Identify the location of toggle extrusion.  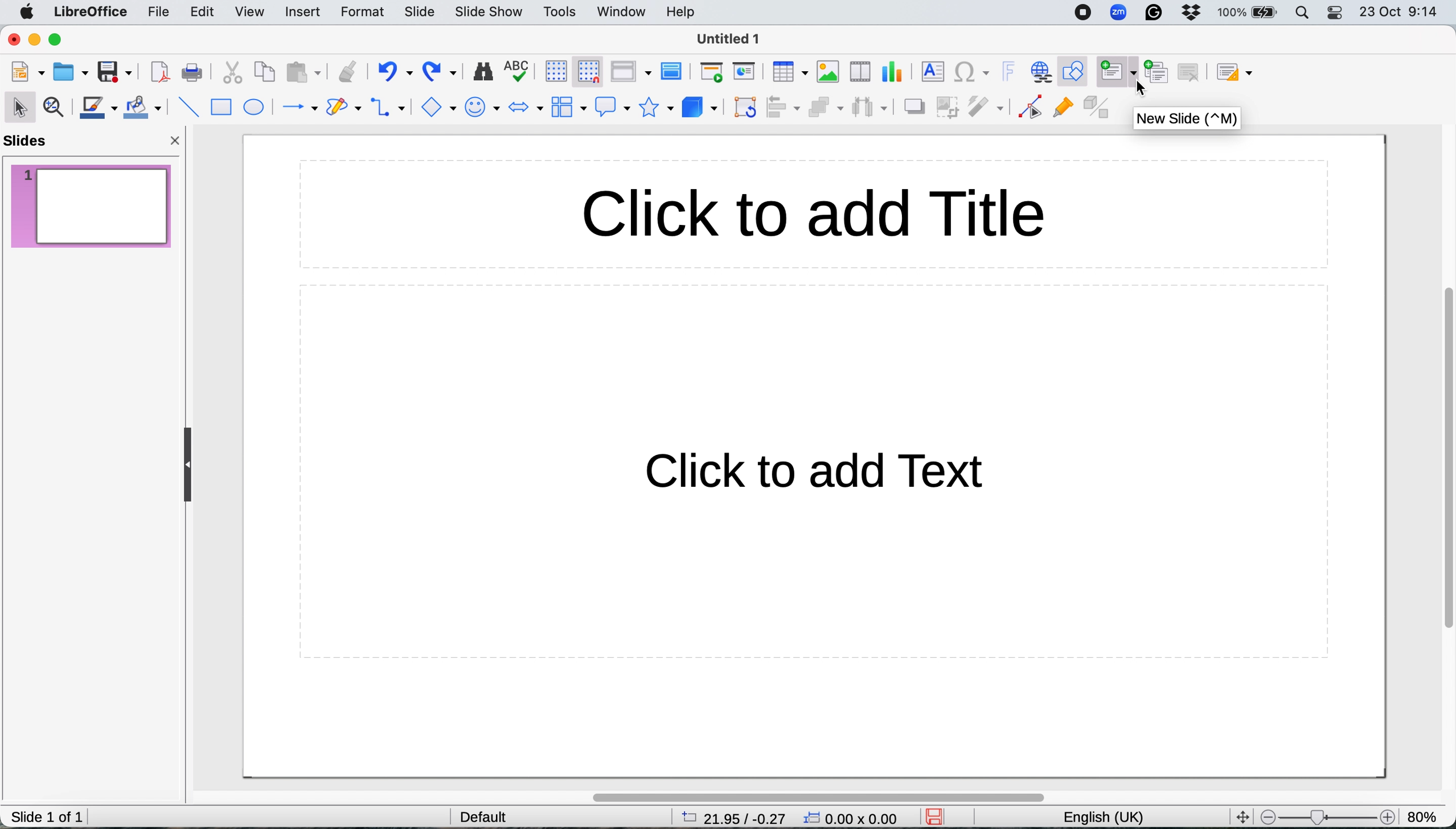
(1098, 108).